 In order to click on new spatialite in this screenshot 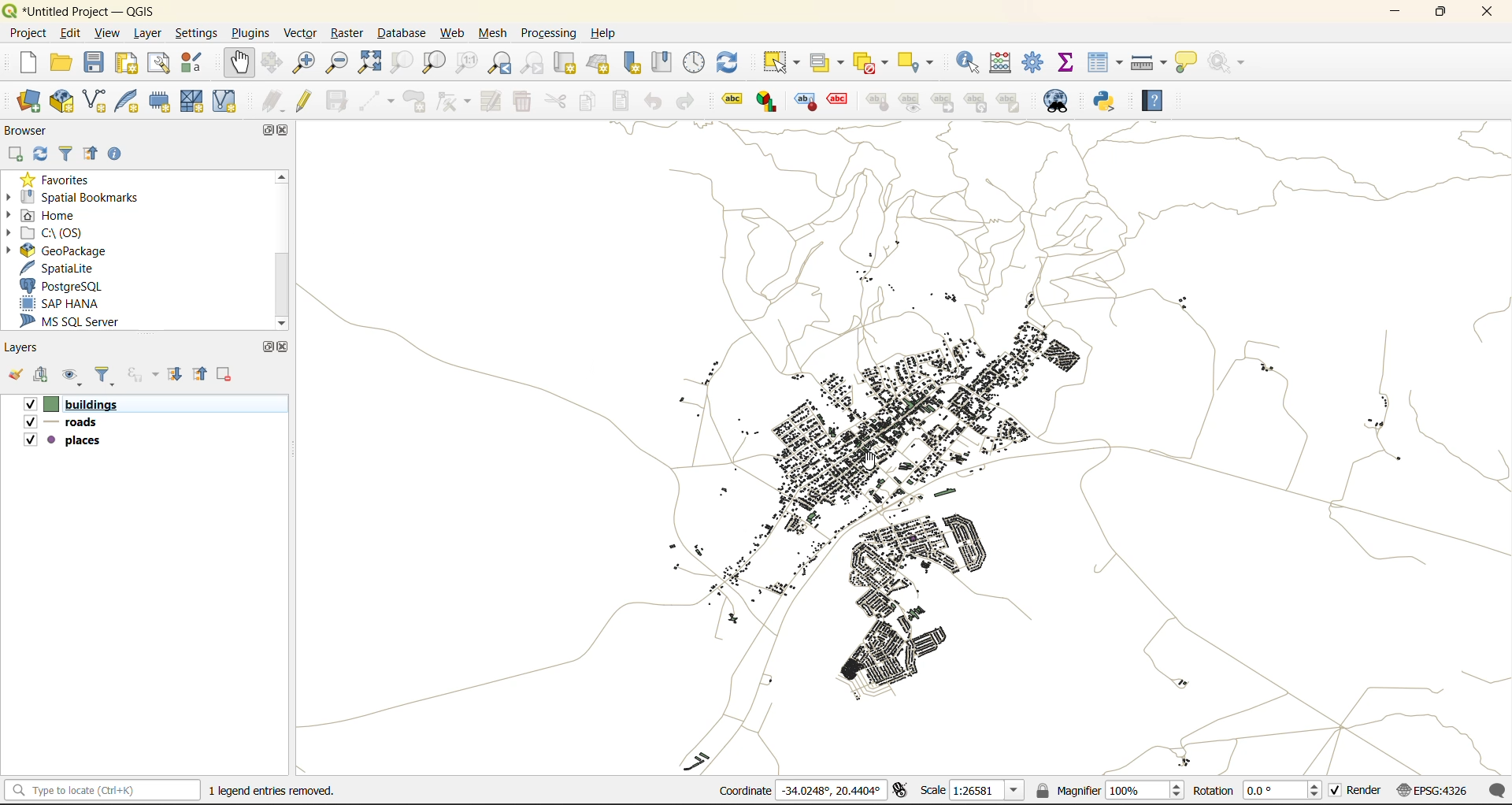, I will do `click(128, 100)`.